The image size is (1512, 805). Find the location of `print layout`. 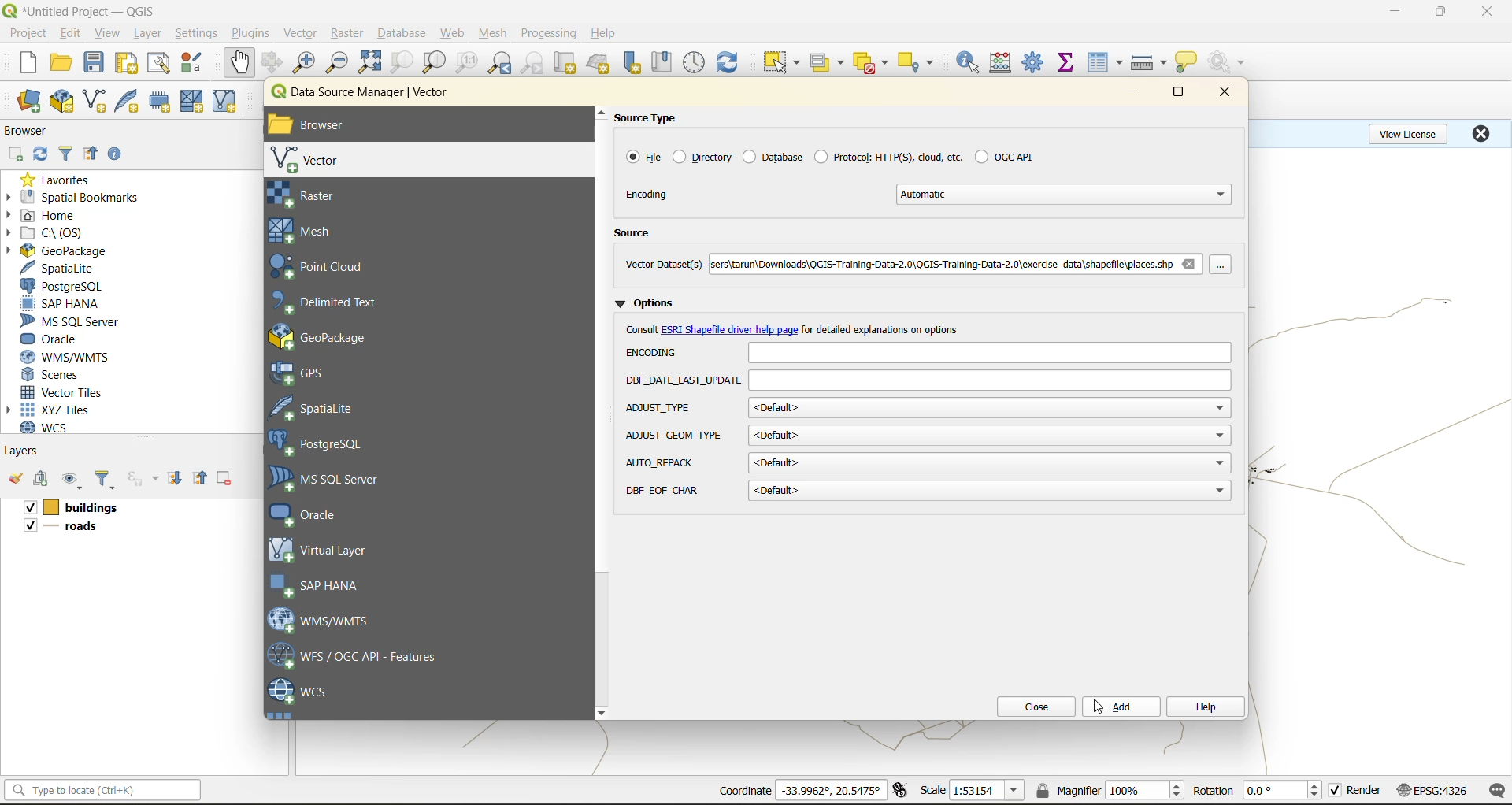

print layout is located at coordinates (130, 65).